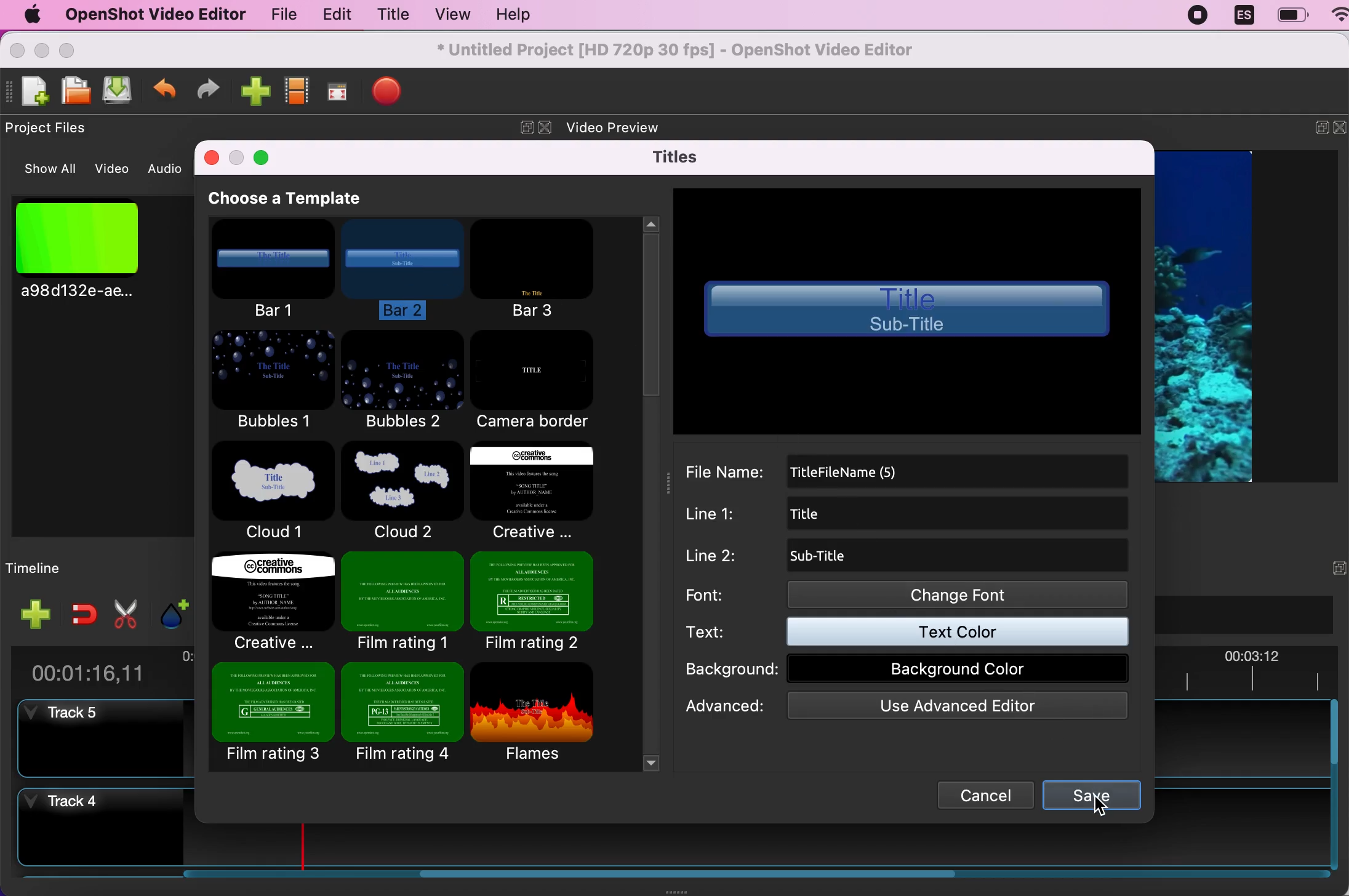 The height and width of the screenshot is (896, 1349). What do you see at coordinates (452, 14) in the screenshot?
I see `view` at bounding box center [452, 14].